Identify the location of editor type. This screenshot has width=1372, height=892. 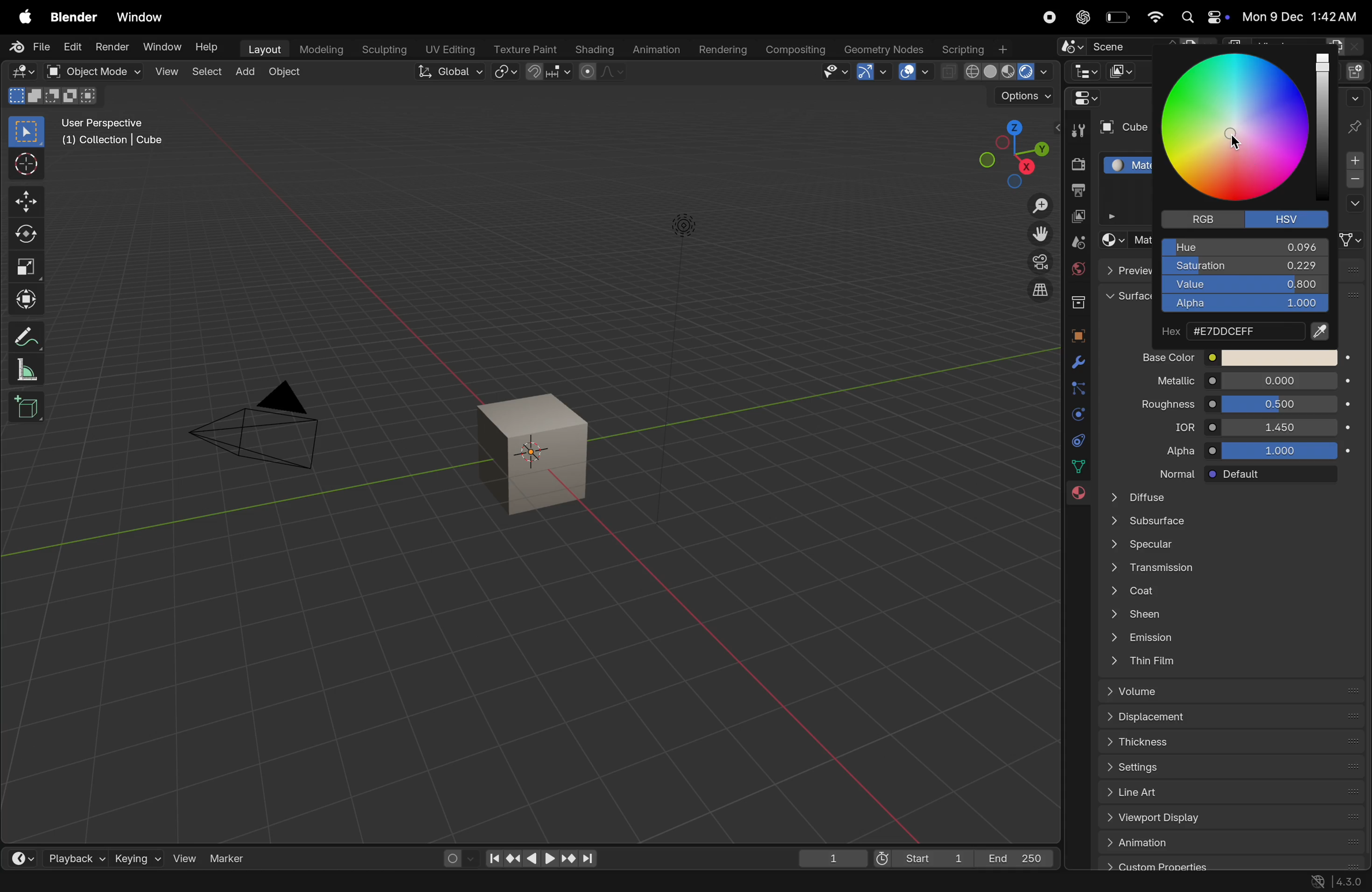
(1081, 98).